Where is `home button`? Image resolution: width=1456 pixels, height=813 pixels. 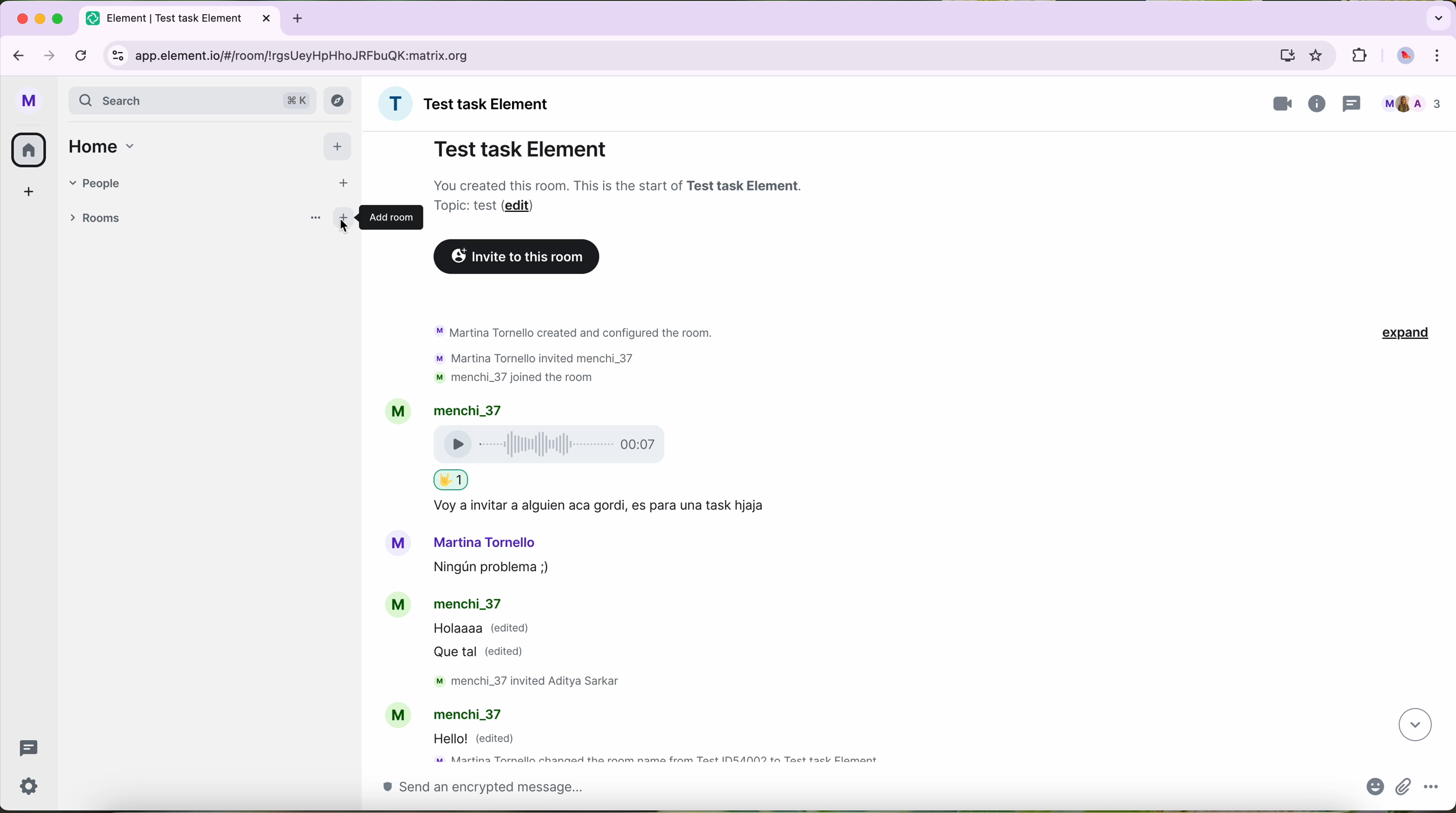
home button is located at coordinates (29, 150).